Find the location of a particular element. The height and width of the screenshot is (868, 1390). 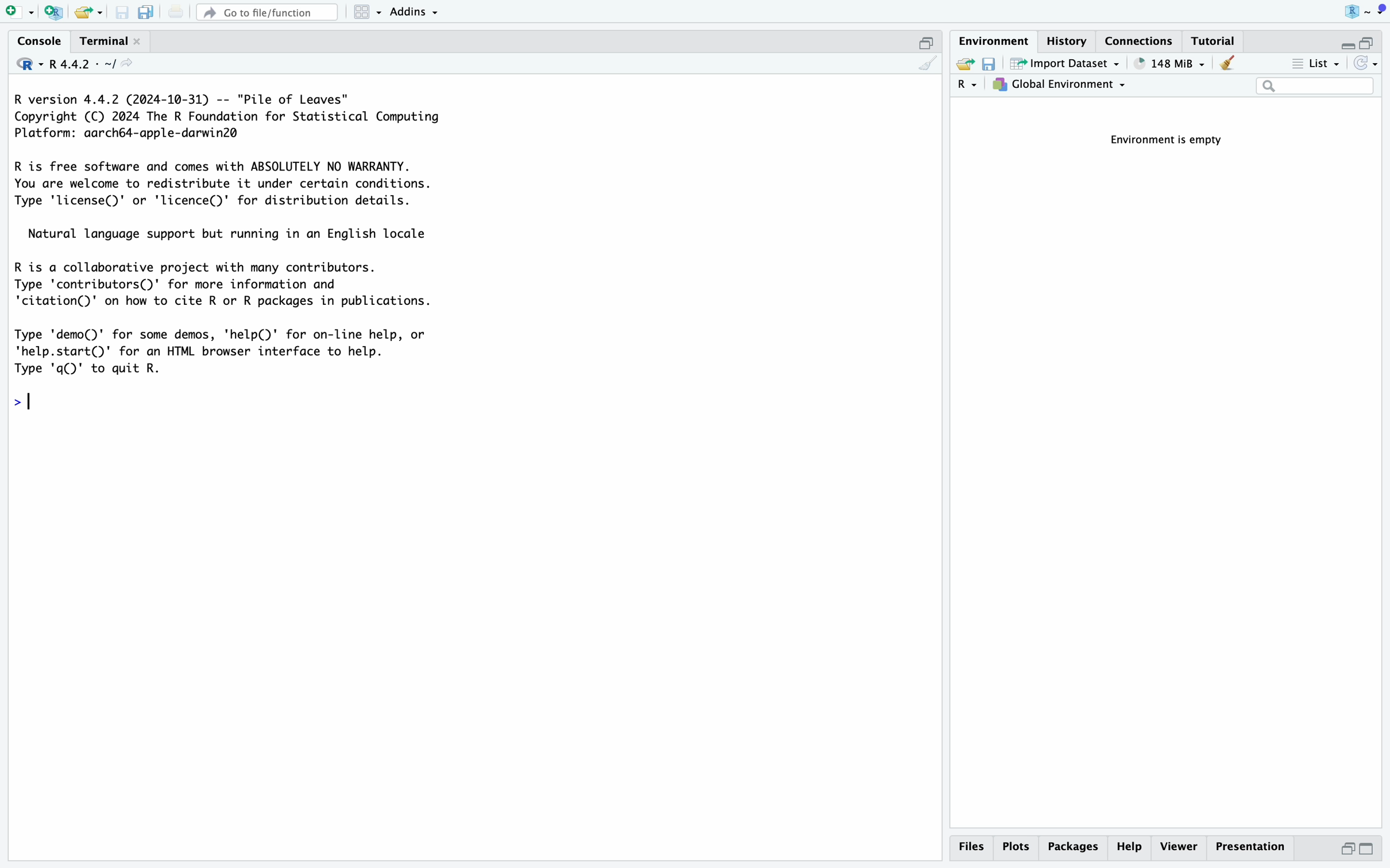

maximize is located at coordinates (1374, 850).